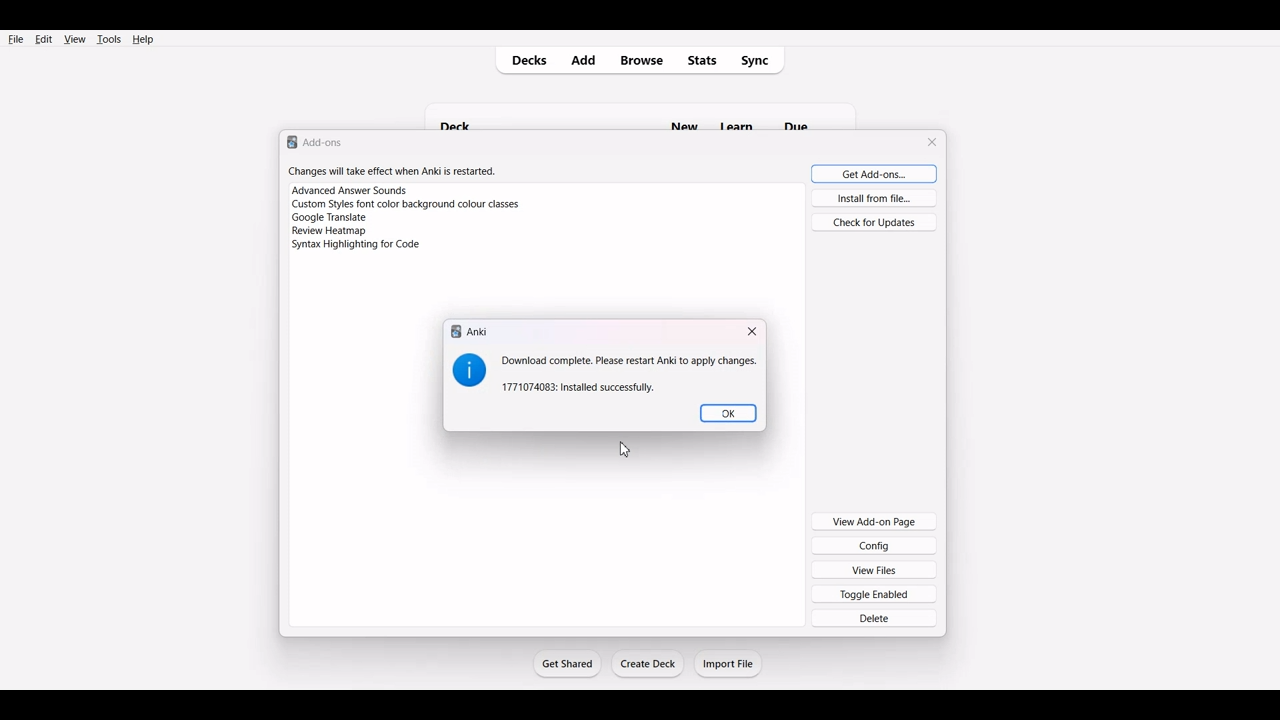  What do you see at coordinates (464, 115) in the screenshot?
I see `deck` at bounding box center [464, 115].